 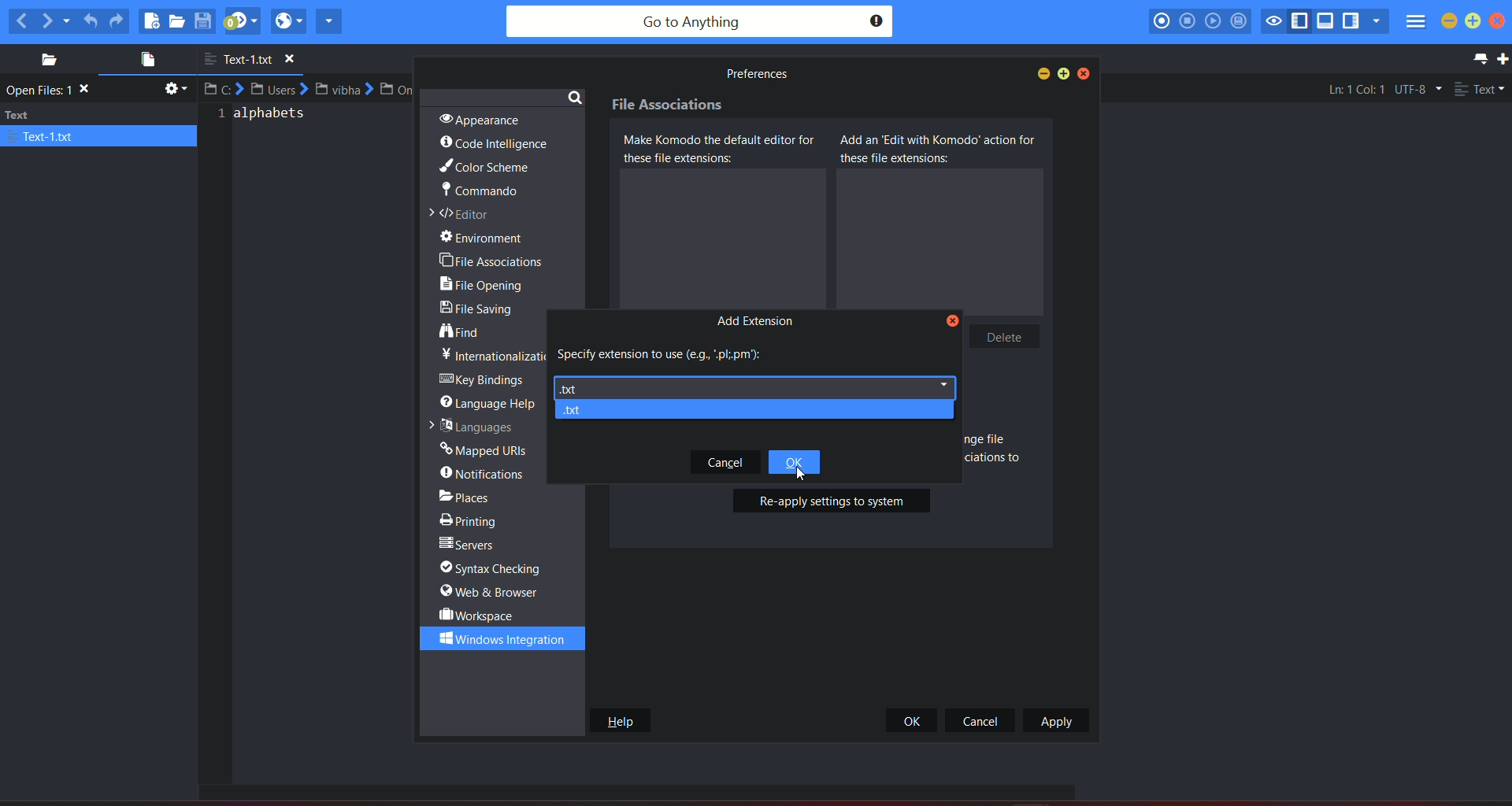 I want to click on minimize, so click(x=1450, y=21).